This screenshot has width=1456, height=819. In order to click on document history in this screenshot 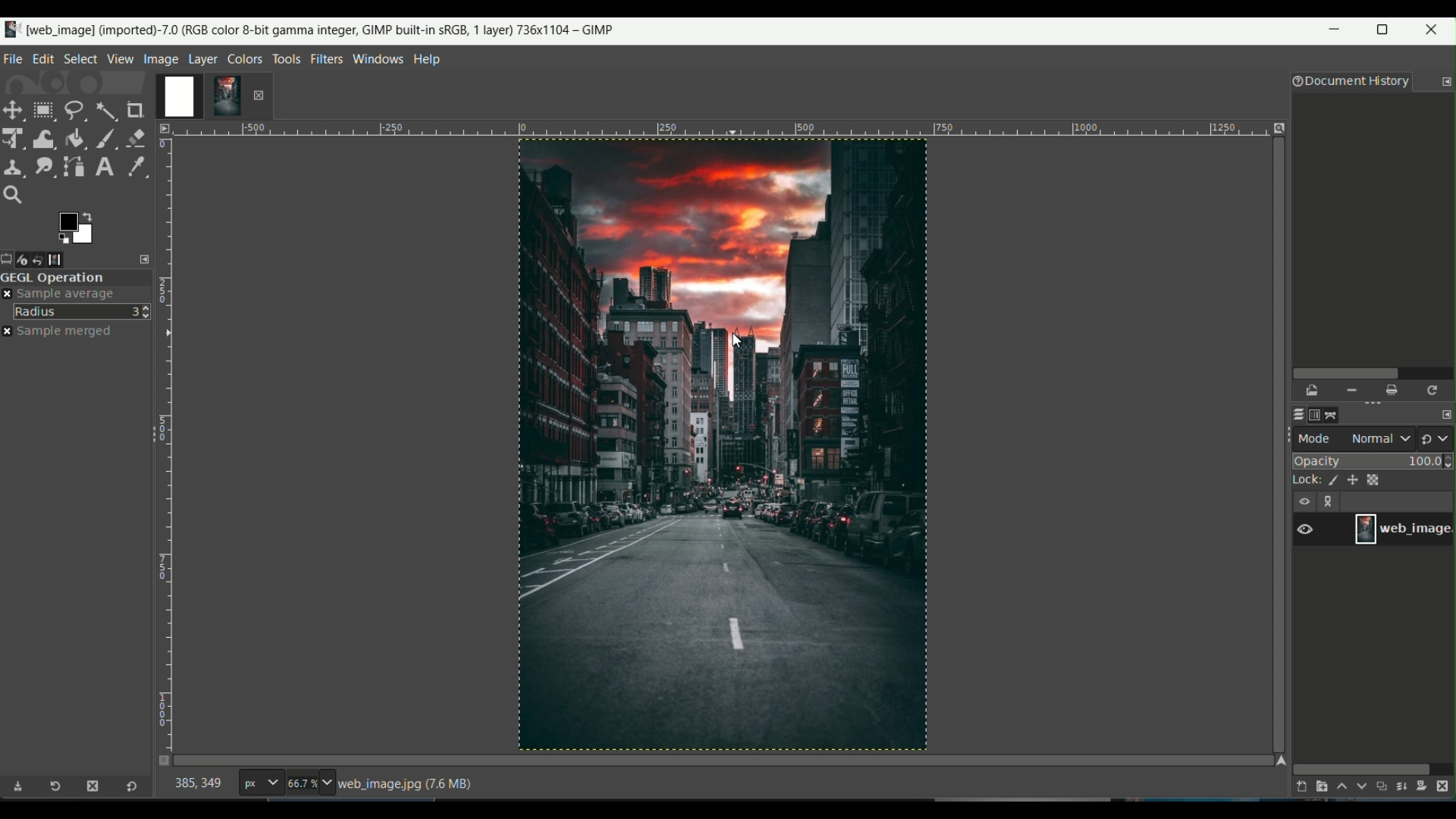, I will do `click(1348, 83)`.